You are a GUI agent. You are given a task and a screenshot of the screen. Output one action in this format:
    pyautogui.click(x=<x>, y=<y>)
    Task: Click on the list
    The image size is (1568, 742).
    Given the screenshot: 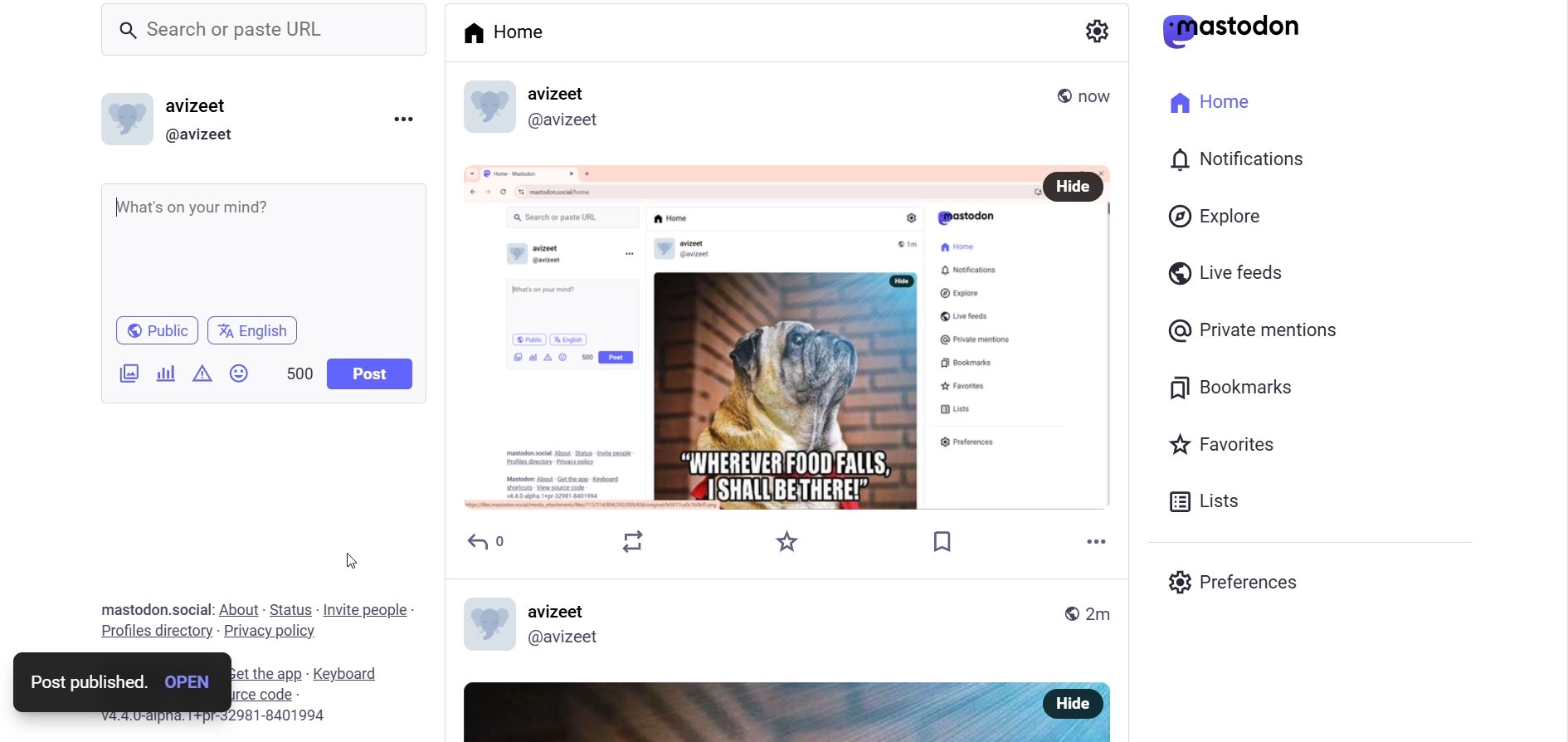 What is the action you would take?
    pyautogui.click(x=1214, y=504)
    